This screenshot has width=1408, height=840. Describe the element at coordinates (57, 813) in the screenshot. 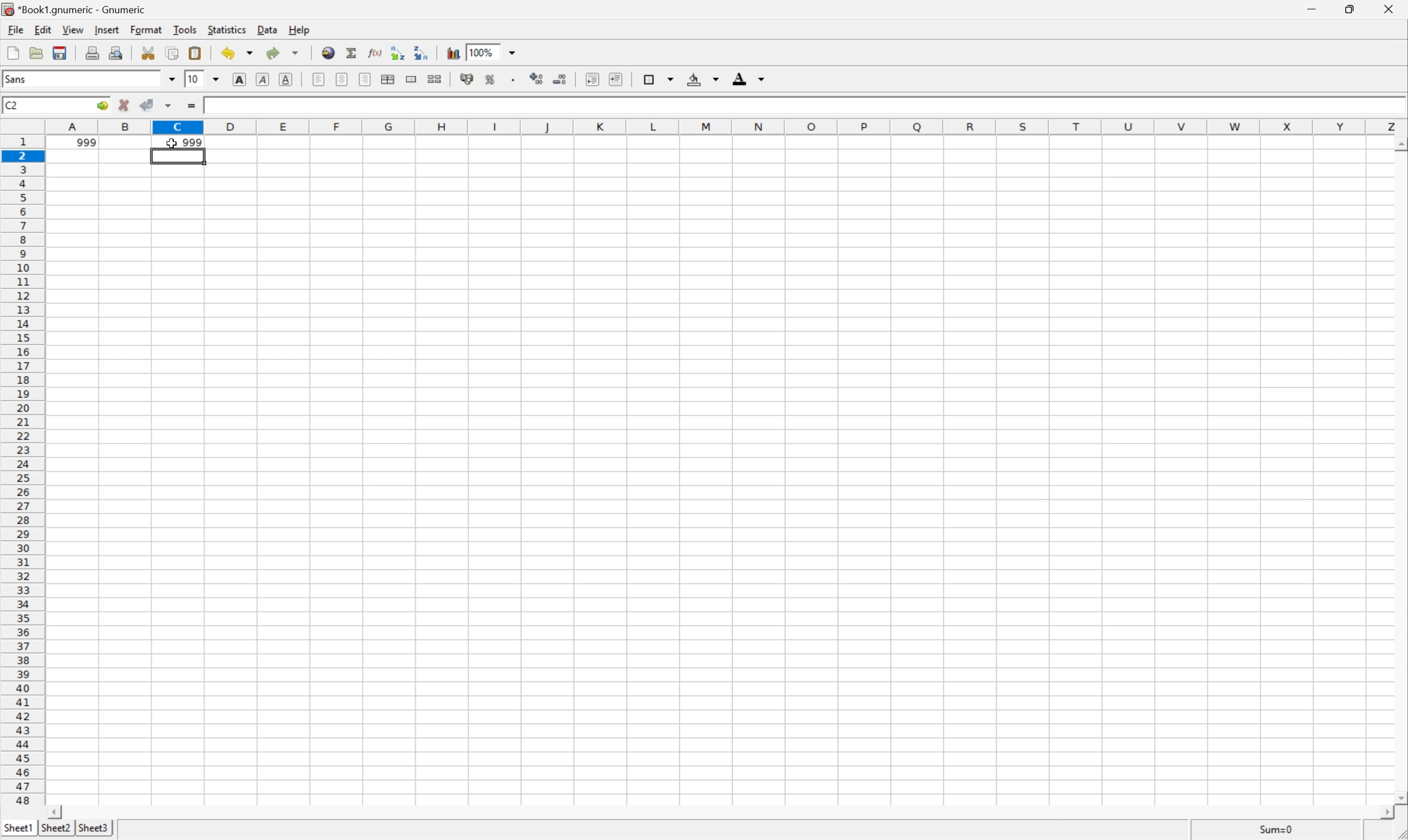

I see `scroll left` at that location.